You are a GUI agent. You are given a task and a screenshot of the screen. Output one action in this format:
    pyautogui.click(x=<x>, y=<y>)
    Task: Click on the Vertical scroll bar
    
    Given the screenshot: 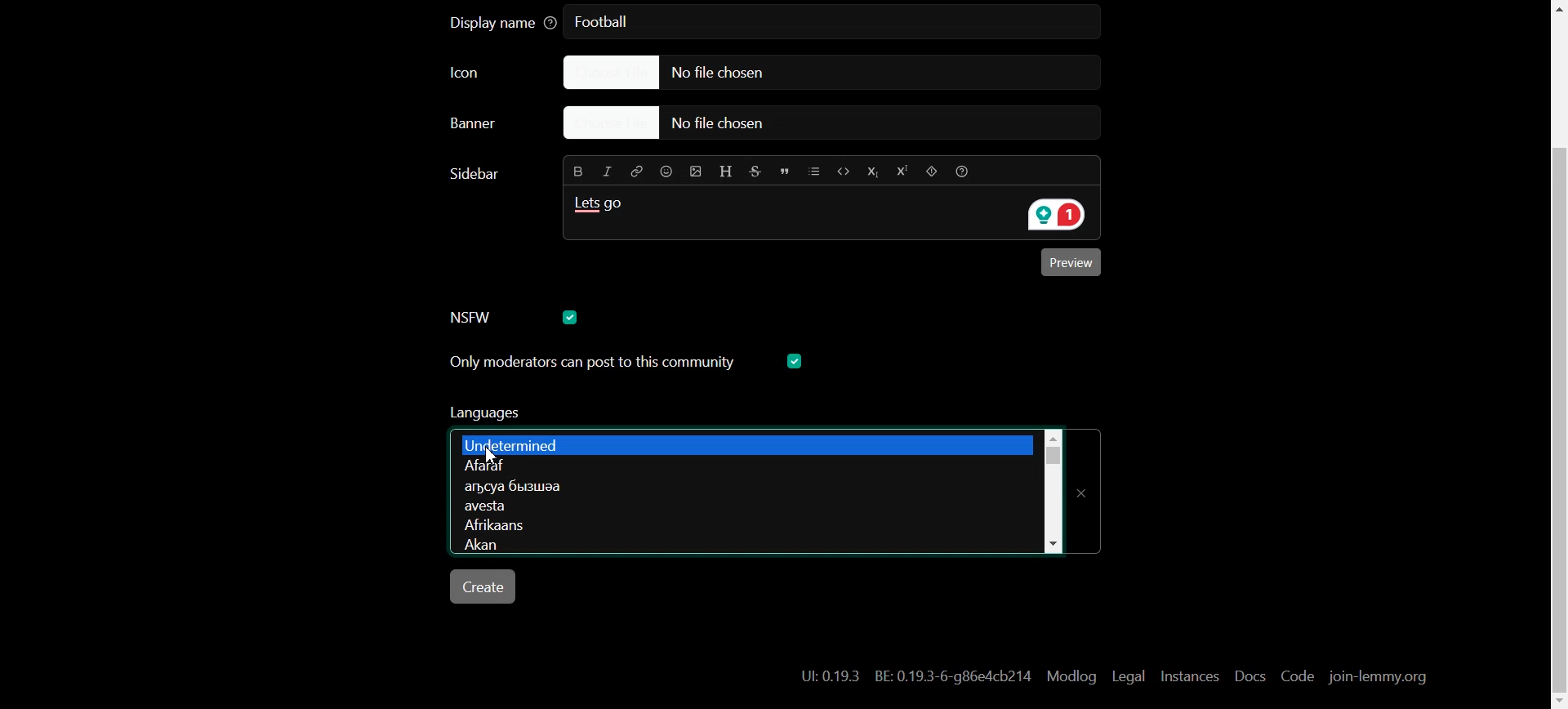 What is the action you would take?
    pyautogui.click(x=1052, y=488)
    